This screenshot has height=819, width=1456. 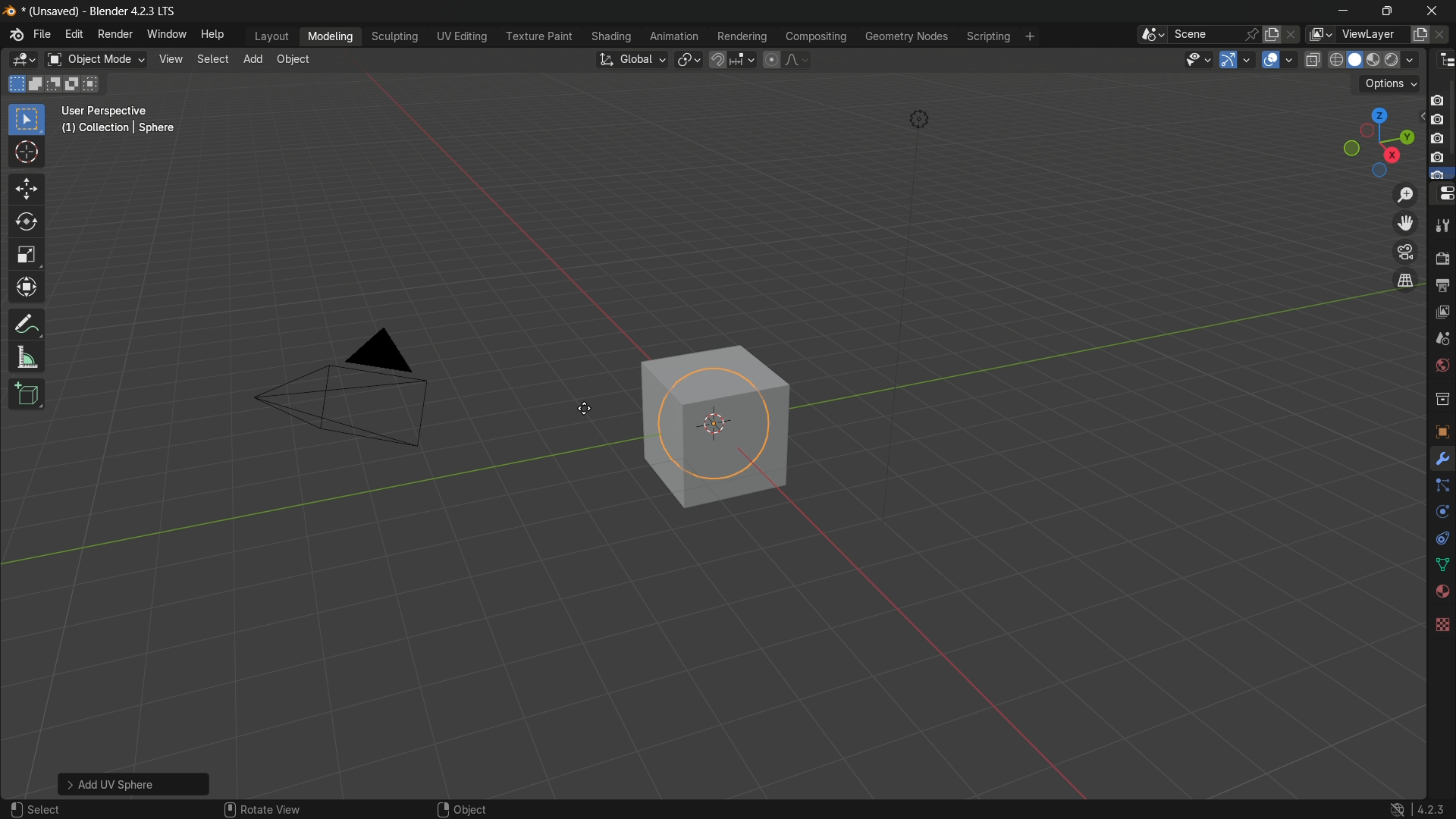 I want to click on view layer name, so click(x=1372, y=34).